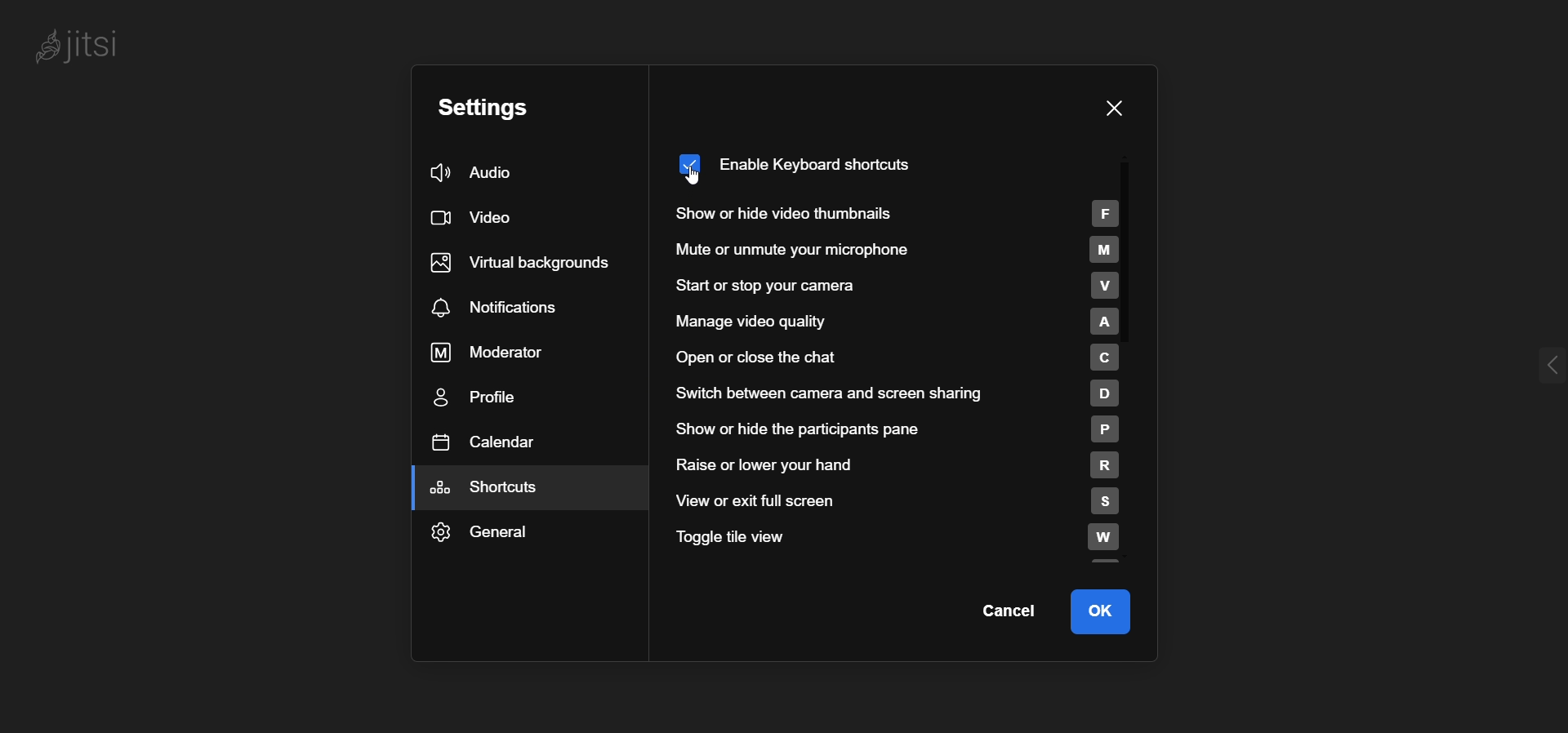  What do you see at coordinates (902, 212) in the screenshot?
I see `show or hide thumbnails` at bounding box center [902, 212].